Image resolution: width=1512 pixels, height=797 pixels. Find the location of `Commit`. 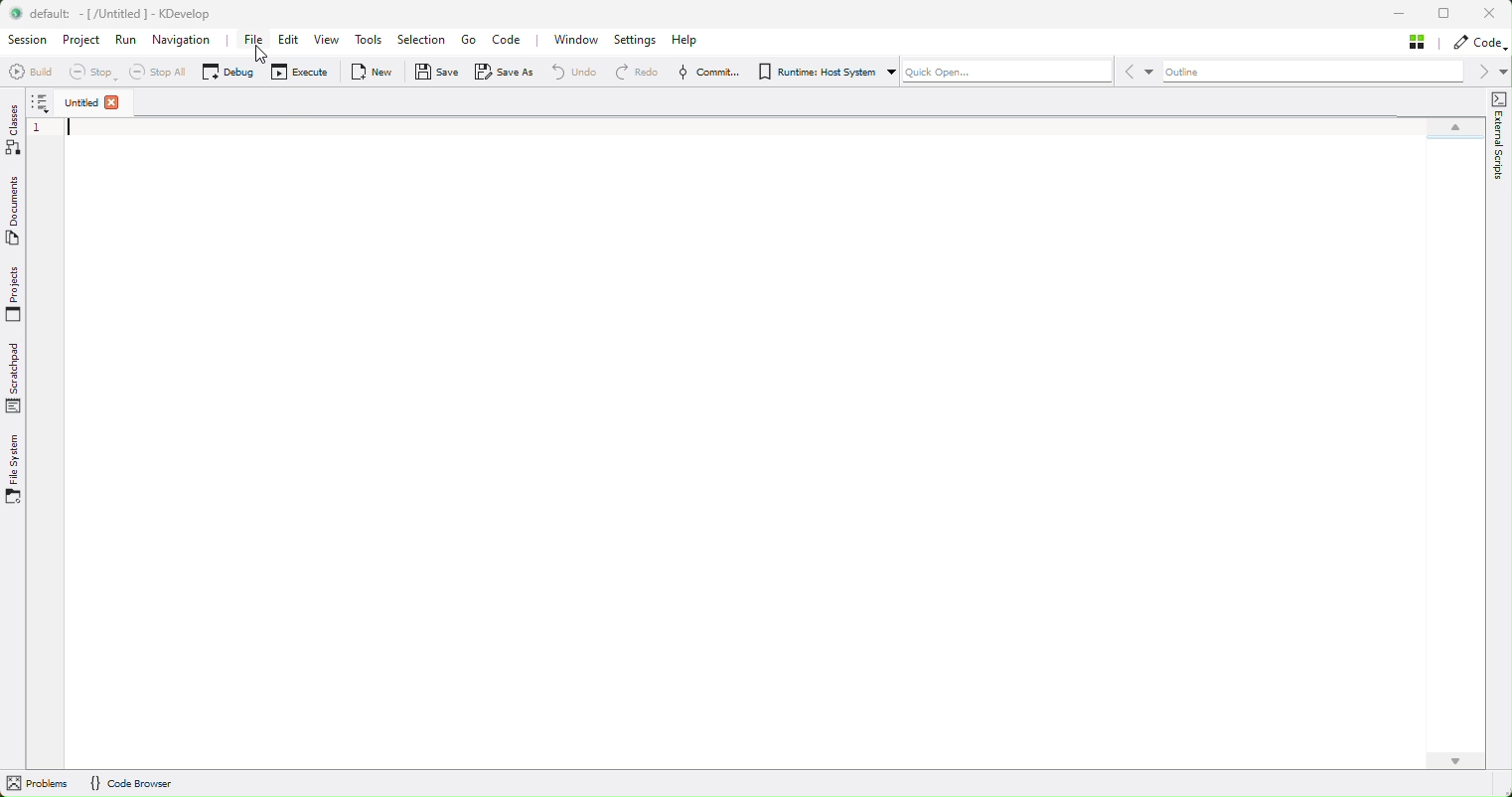

Commit is located at coordinates (706, 72).